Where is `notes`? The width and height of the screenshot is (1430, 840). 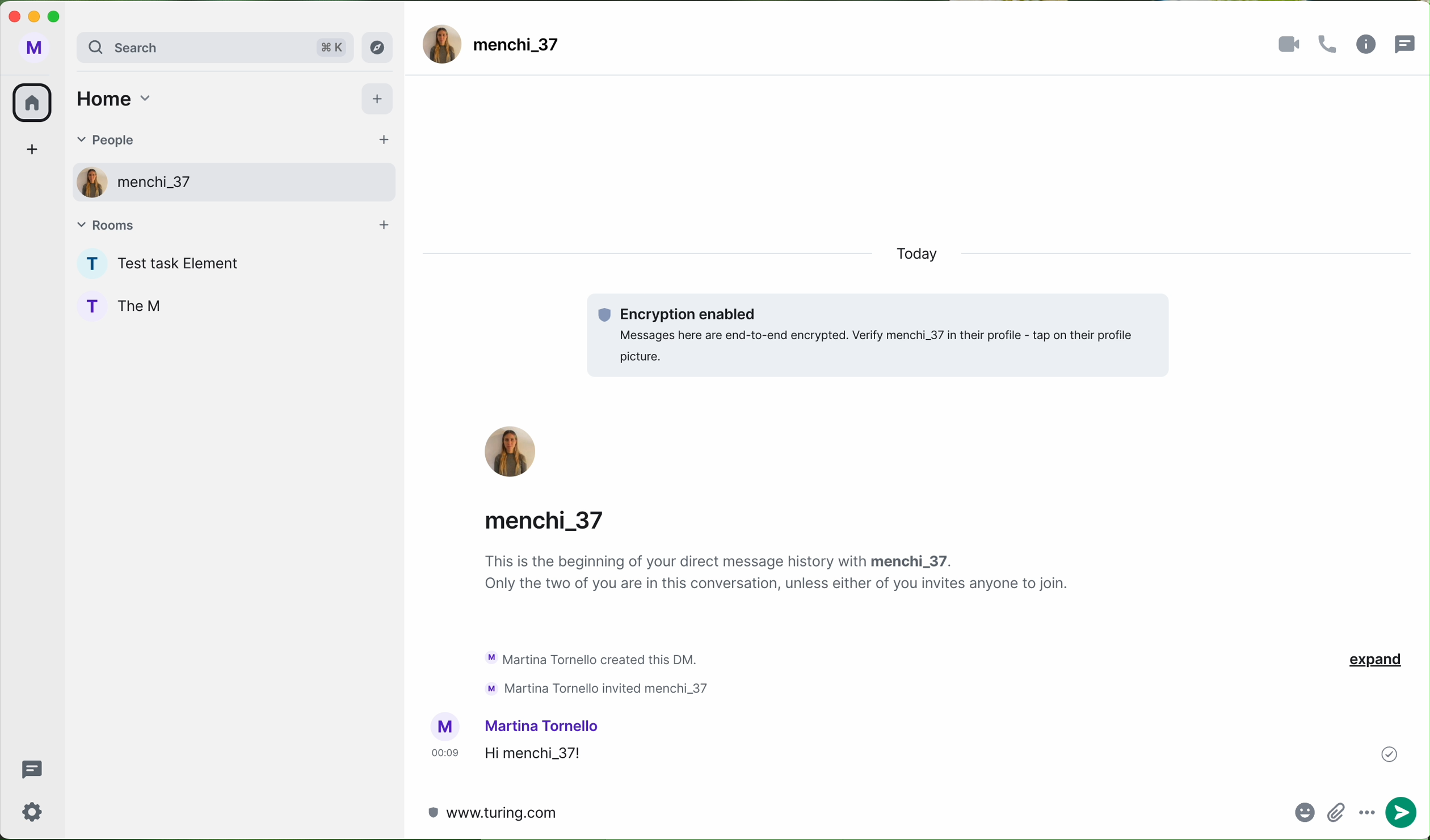 notes is located at coordinates (780, 575).